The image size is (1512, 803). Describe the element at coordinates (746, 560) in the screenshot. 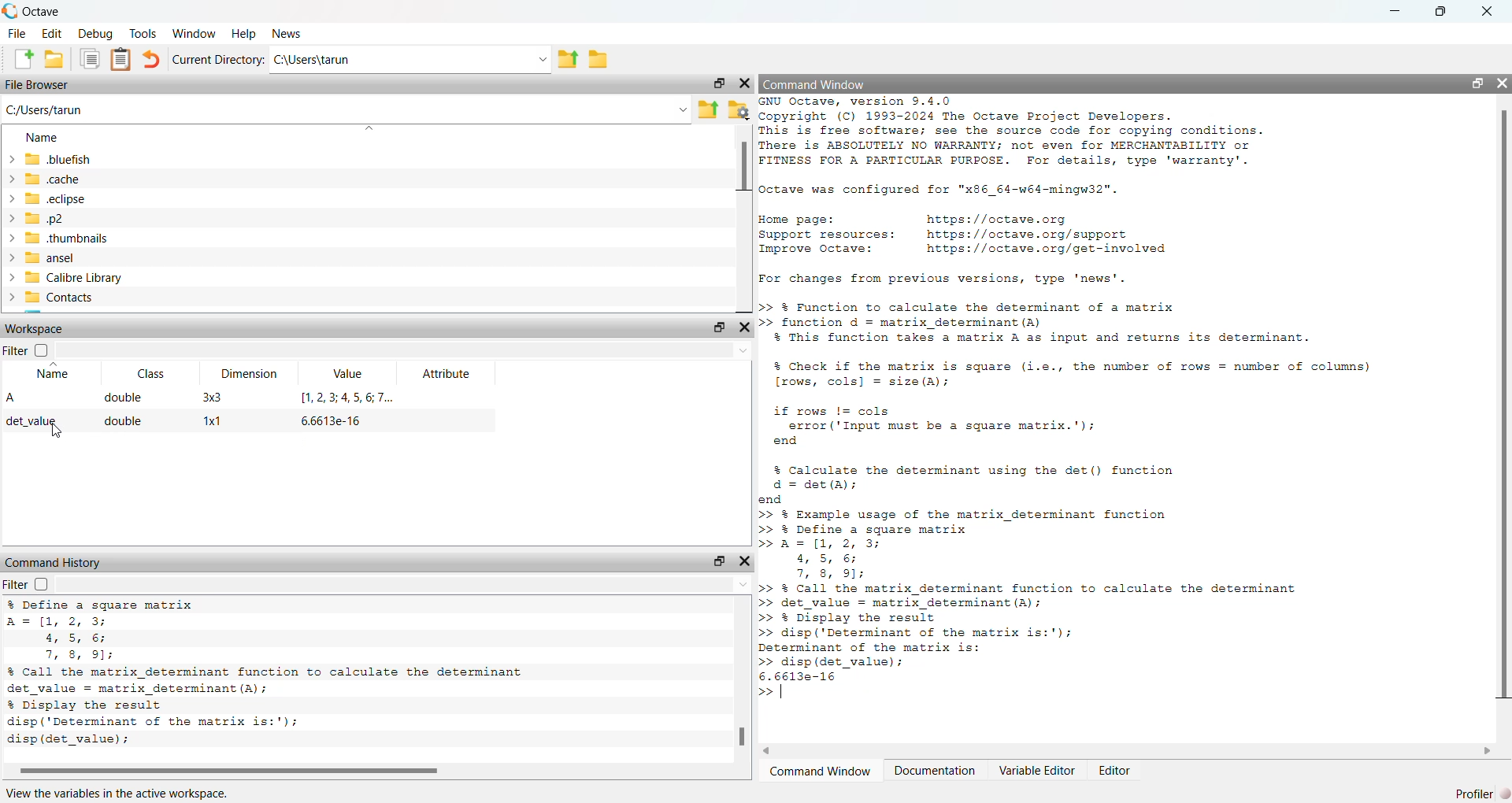

I see `close` at that location.